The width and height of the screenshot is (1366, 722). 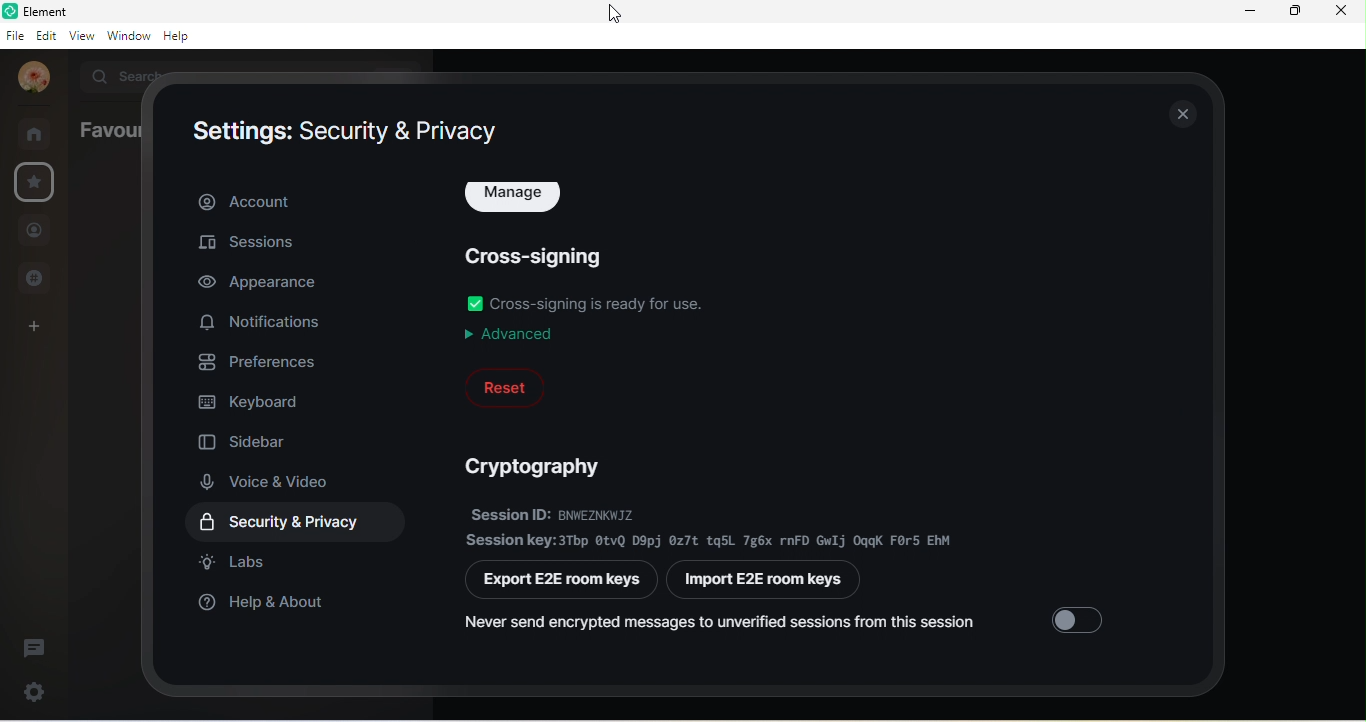 I want to click on home, so click(x=40, y=134).